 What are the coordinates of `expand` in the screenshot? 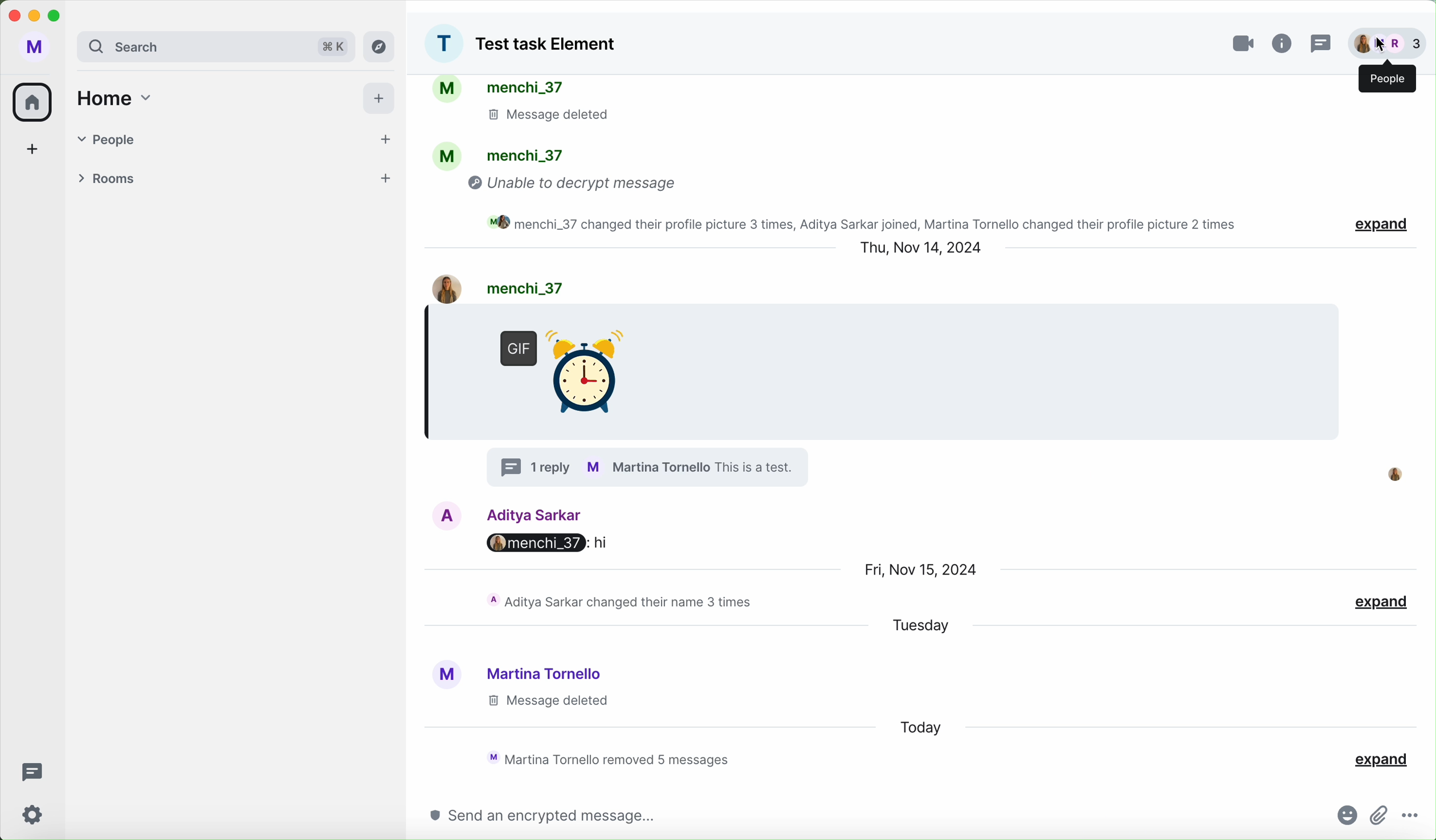 It's located at (1381, 603).